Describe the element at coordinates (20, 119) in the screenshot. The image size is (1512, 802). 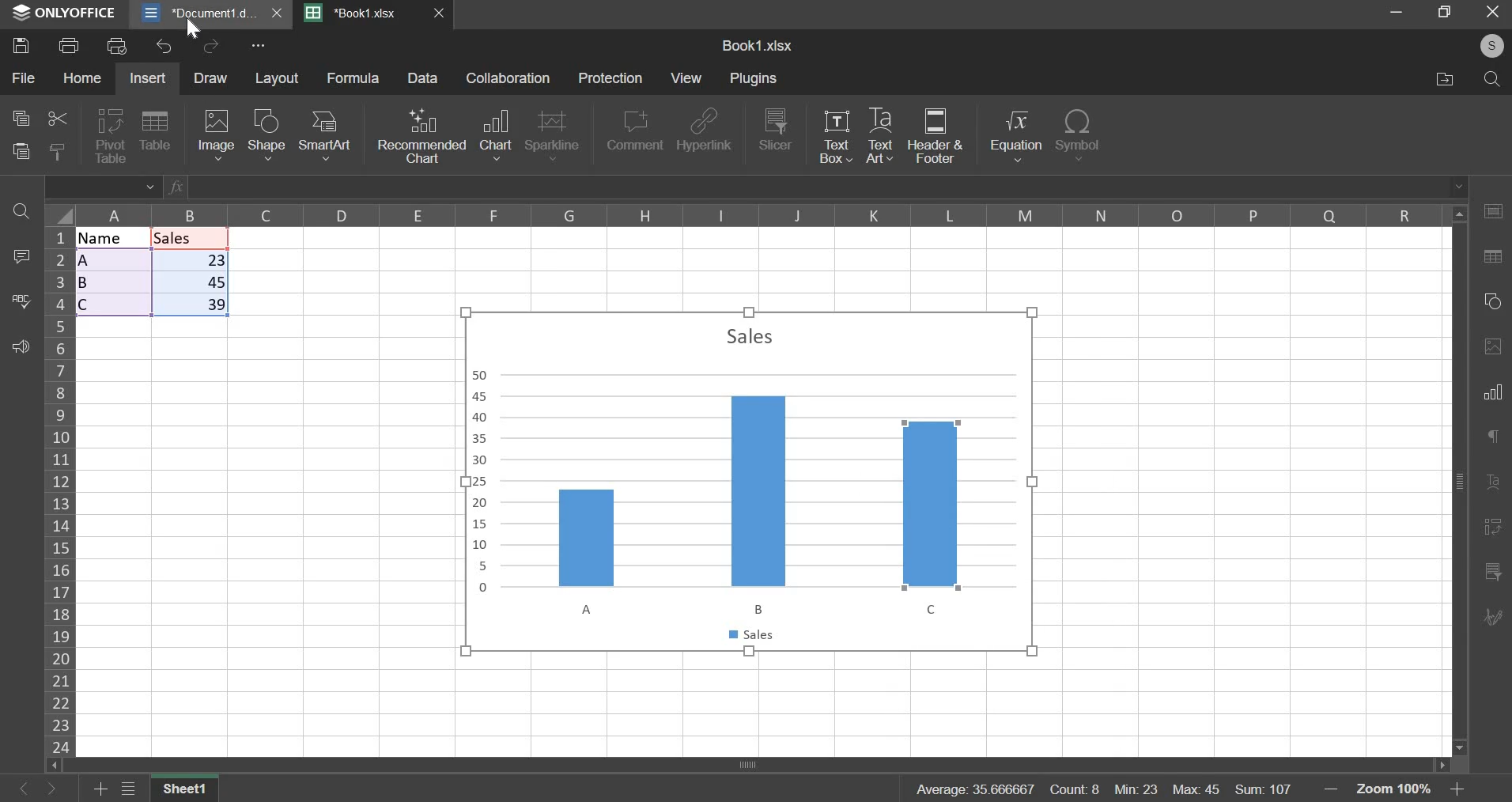
I see `copy` at that location.